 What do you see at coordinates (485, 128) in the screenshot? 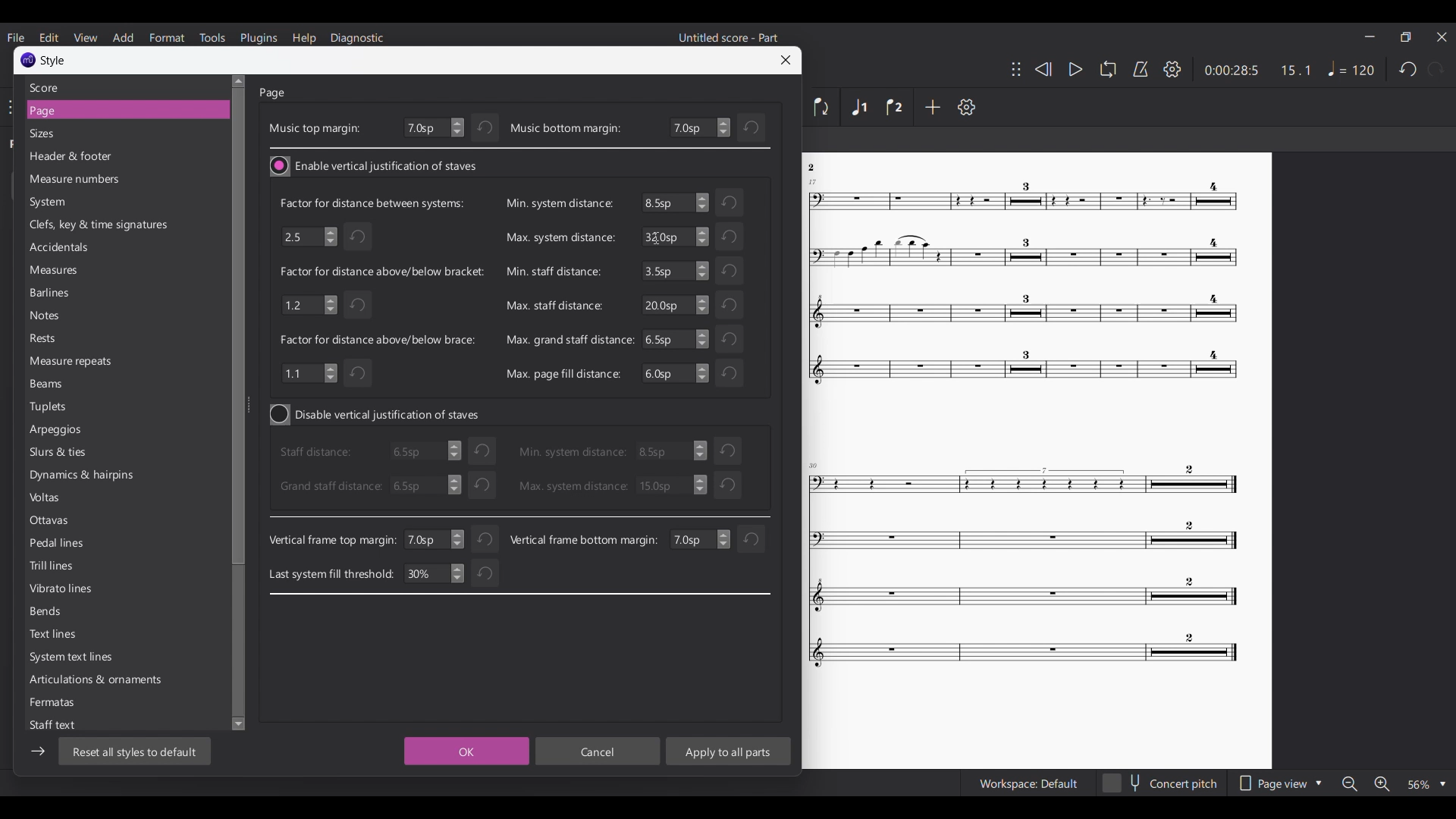
I see `Undo` at bounding box center [485, 128].